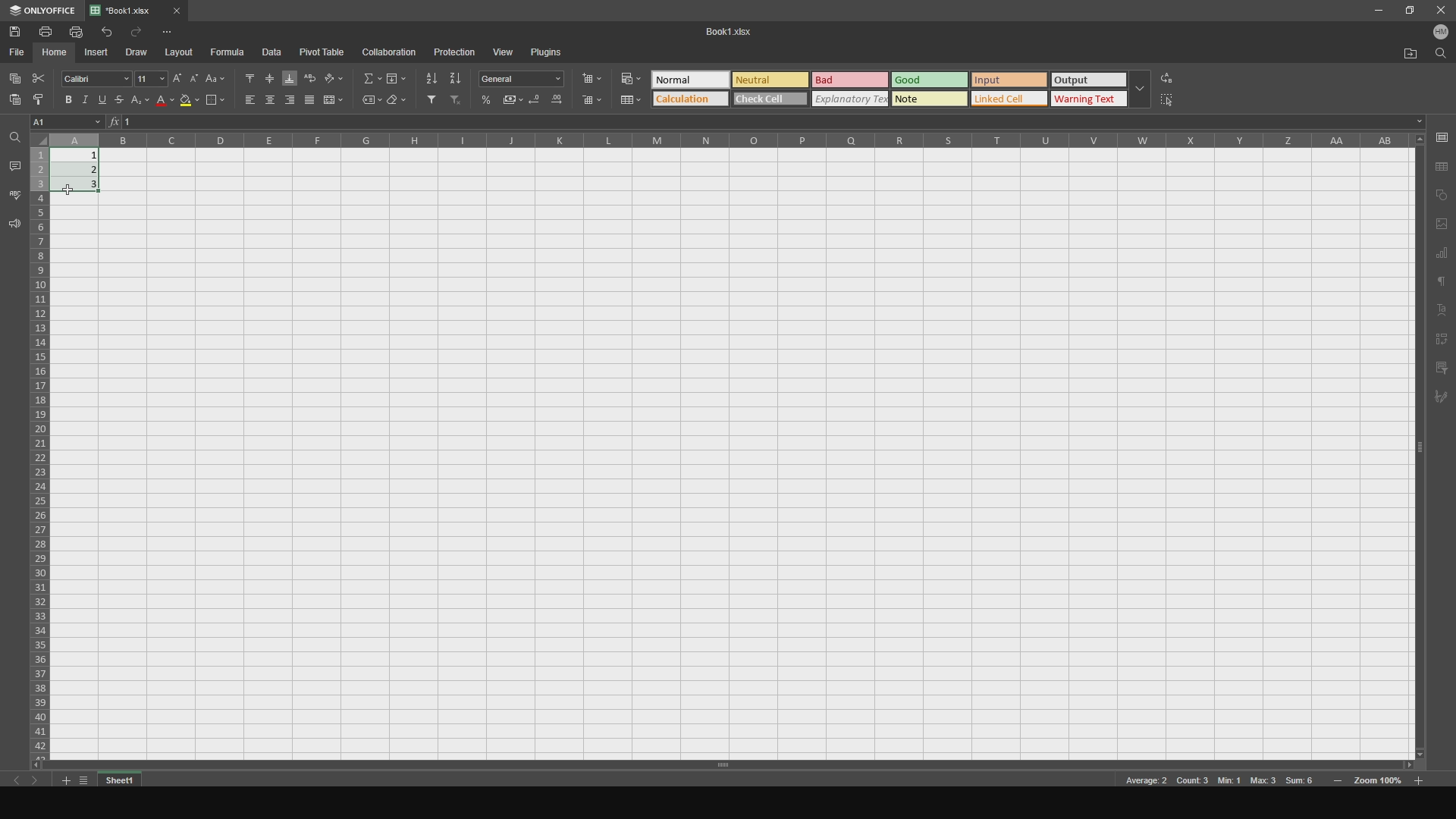  I want to click on open file location, so click(1402, 54).